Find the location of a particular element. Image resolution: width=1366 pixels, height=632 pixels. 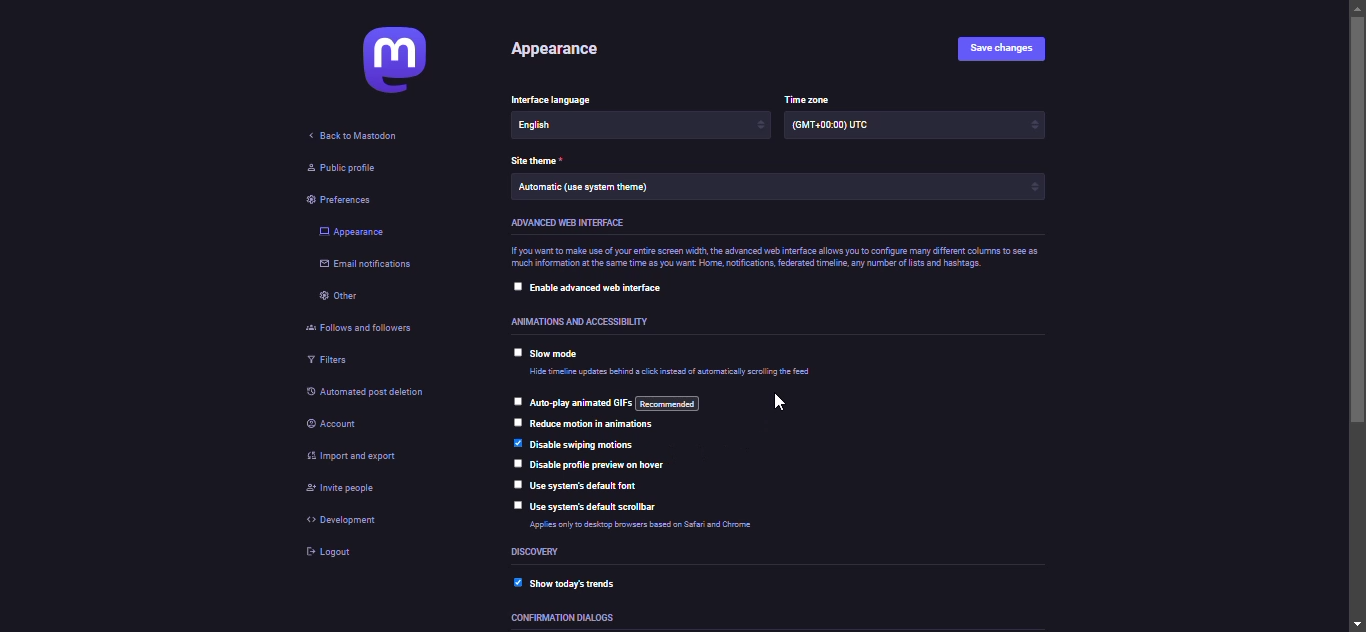

language is located at coordinates (565, 129).